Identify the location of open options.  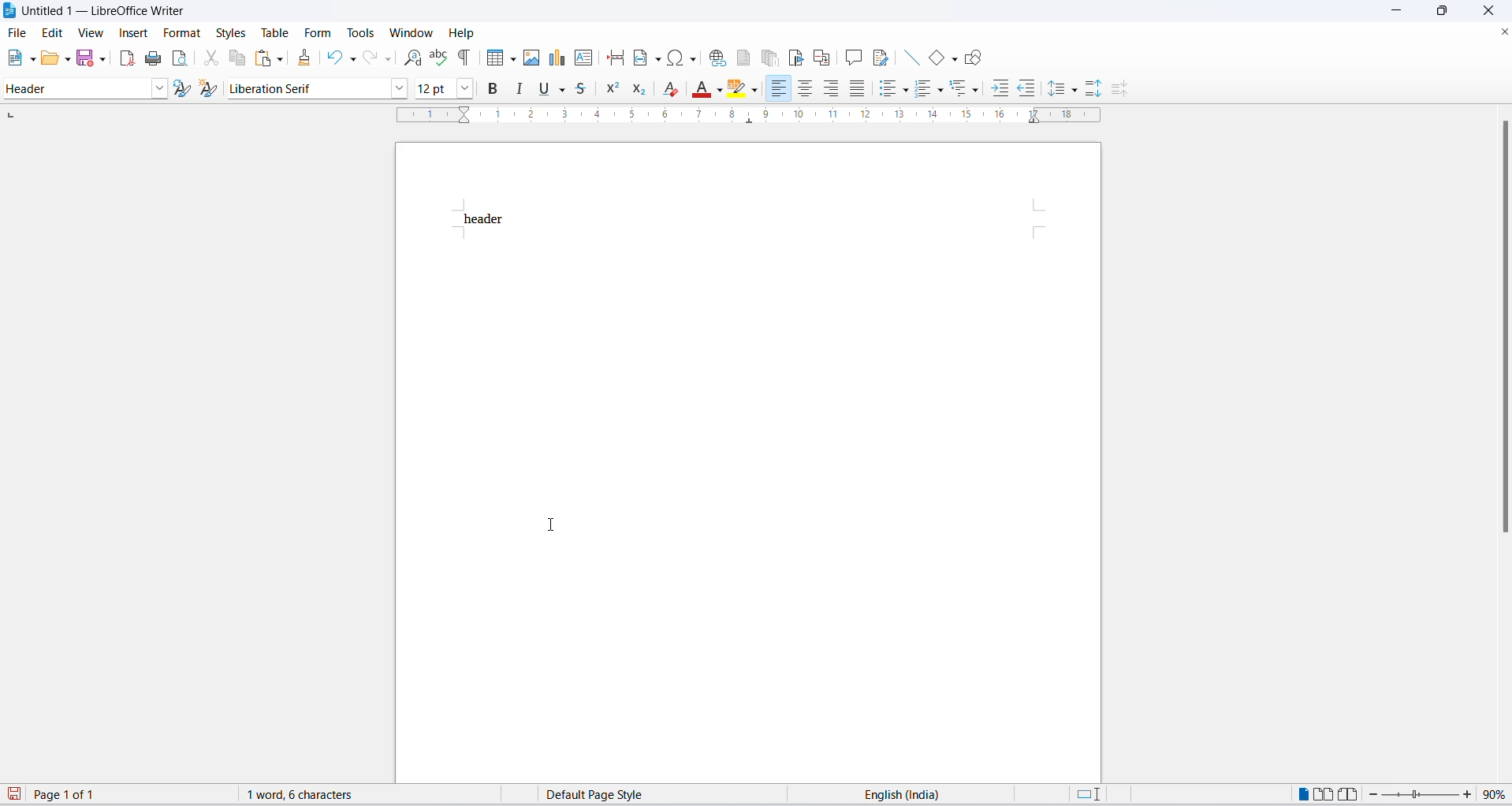
(69, 58).